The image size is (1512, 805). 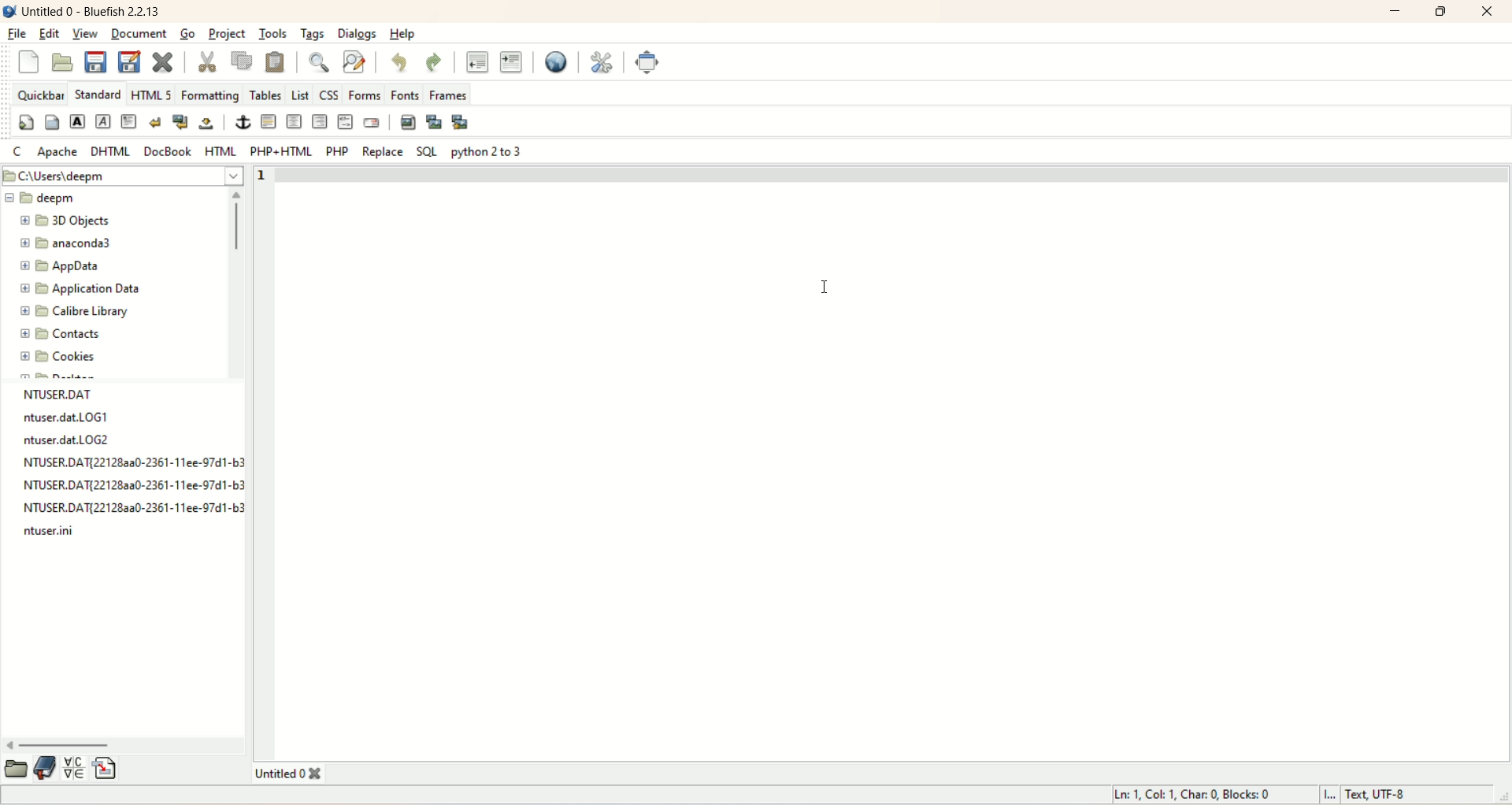 I want to click on strong, so click(x=79, y=123).